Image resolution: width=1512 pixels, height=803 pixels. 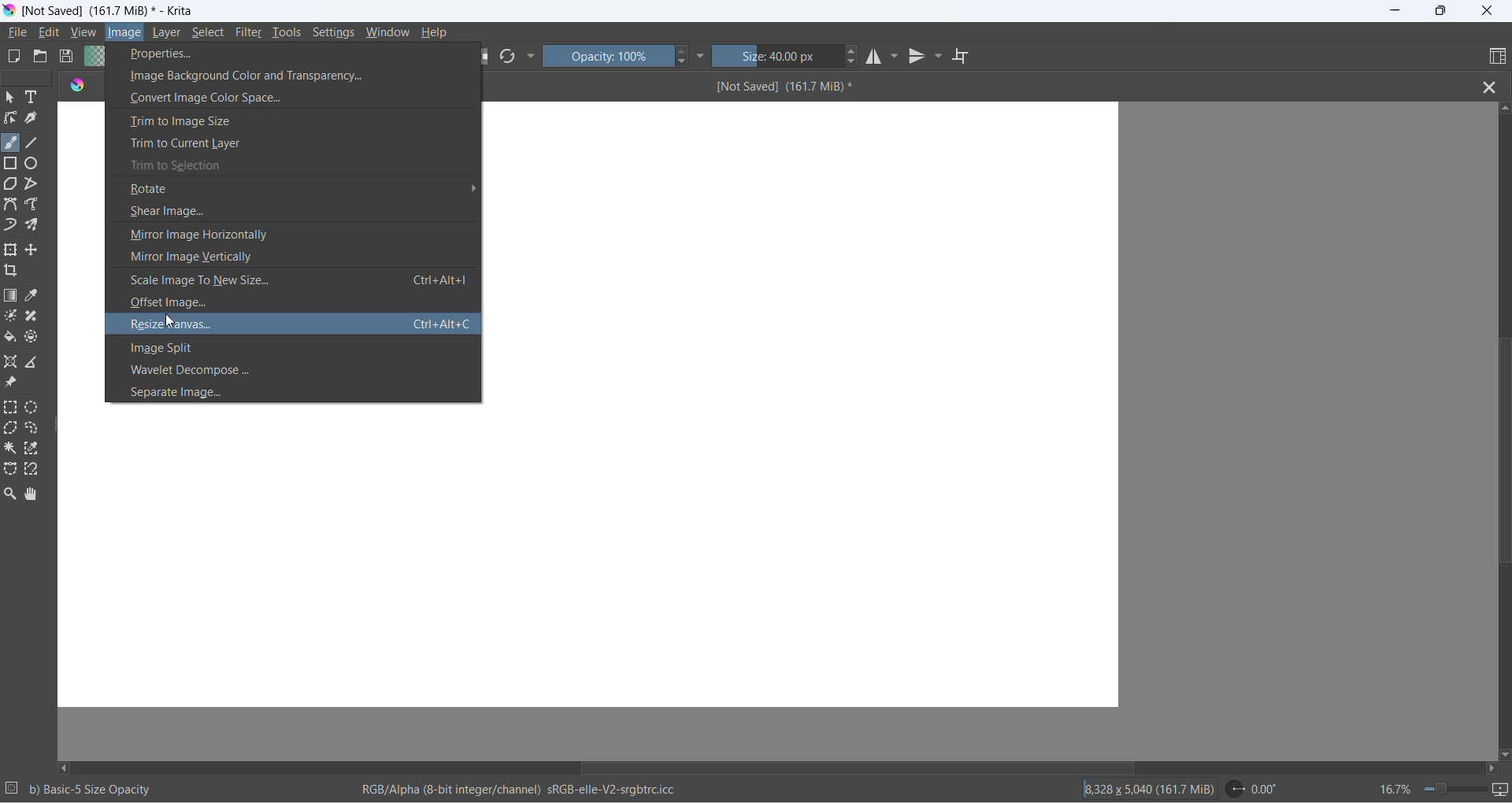 I want to click on close, so click(x=1488, y=12).